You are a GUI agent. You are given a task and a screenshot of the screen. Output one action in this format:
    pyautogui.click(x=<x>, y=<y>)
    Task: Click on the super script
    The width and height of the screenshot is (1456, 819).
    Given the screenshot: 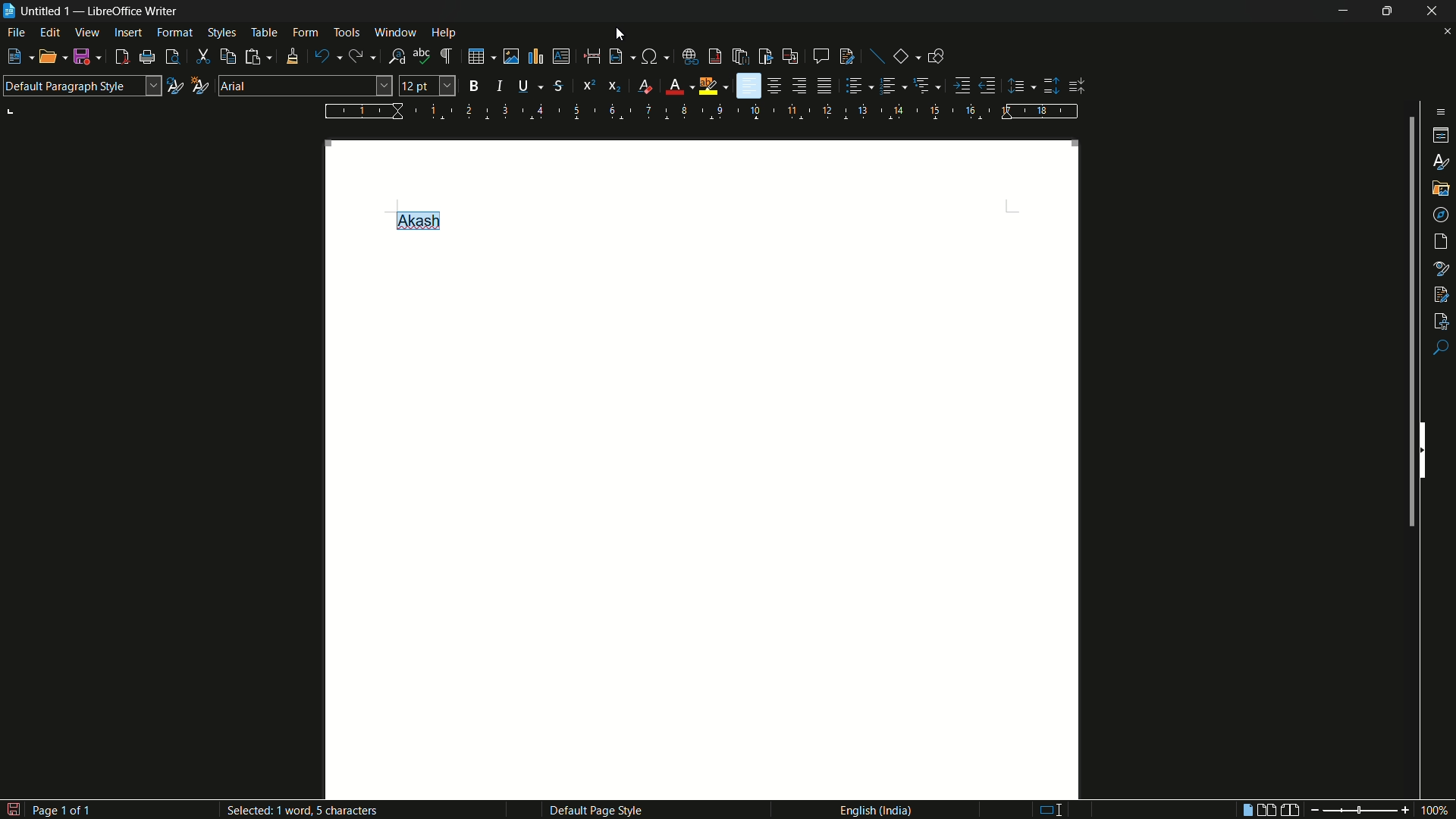 What is the action you would take?
    pyautogui.click(x=588, y=84)
    